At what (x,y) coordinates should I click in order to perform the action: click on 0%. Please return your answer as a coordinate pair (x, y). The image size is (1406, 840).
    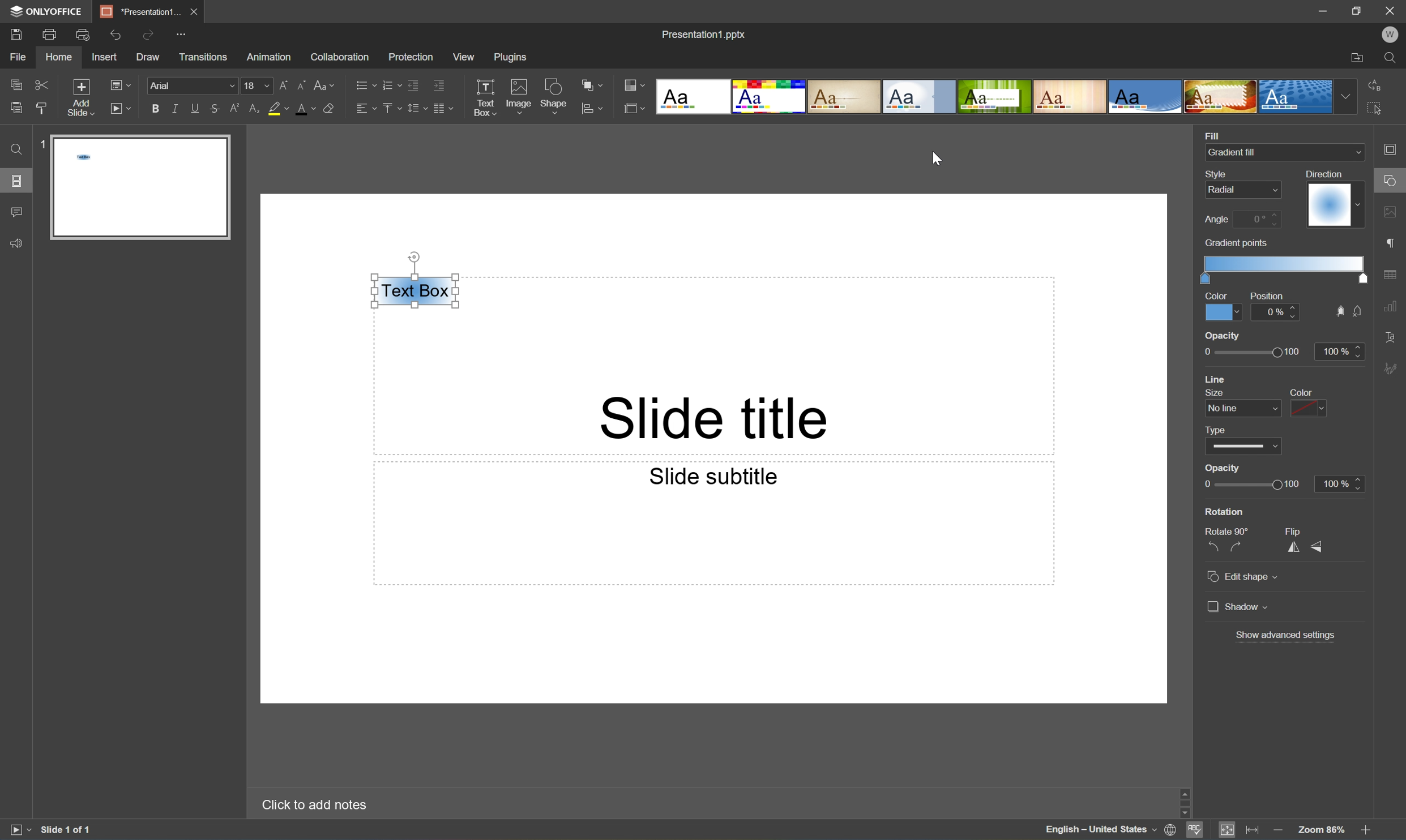
    Looking at the image, I should click on (1276, 312).